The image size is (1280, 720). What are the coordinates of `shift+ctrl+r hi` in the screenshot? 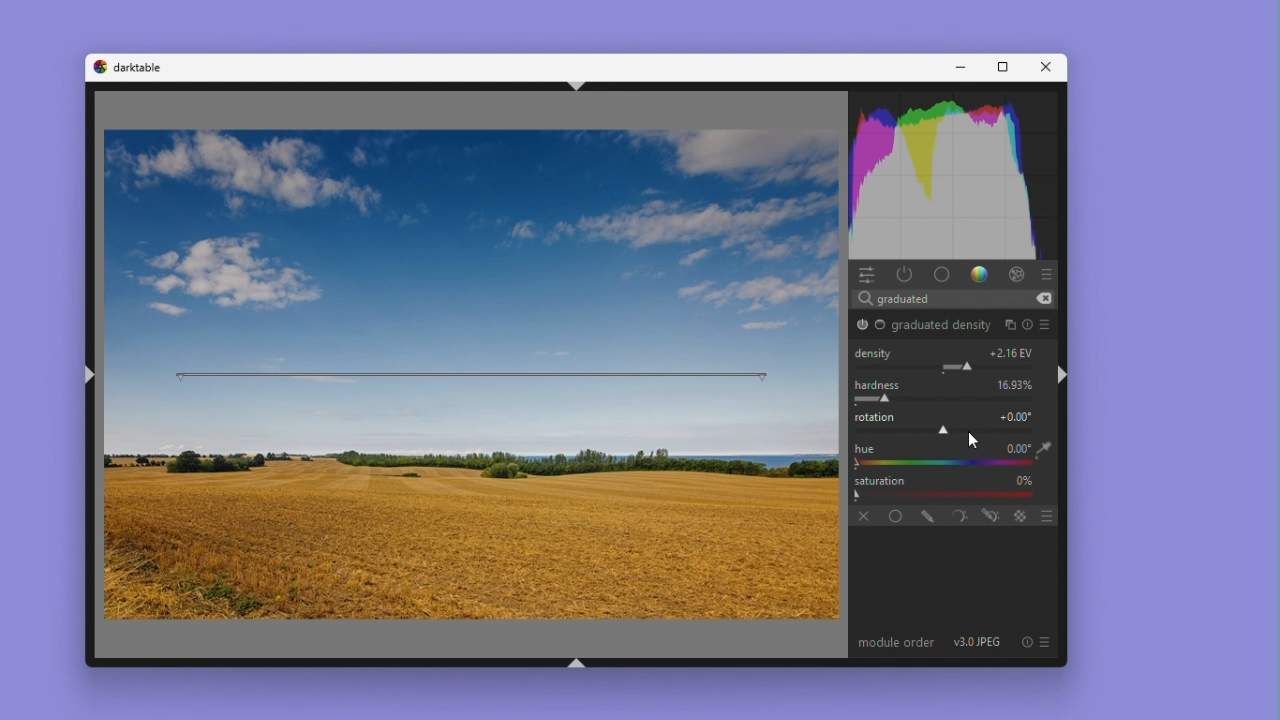 It's located at (1064, 374).